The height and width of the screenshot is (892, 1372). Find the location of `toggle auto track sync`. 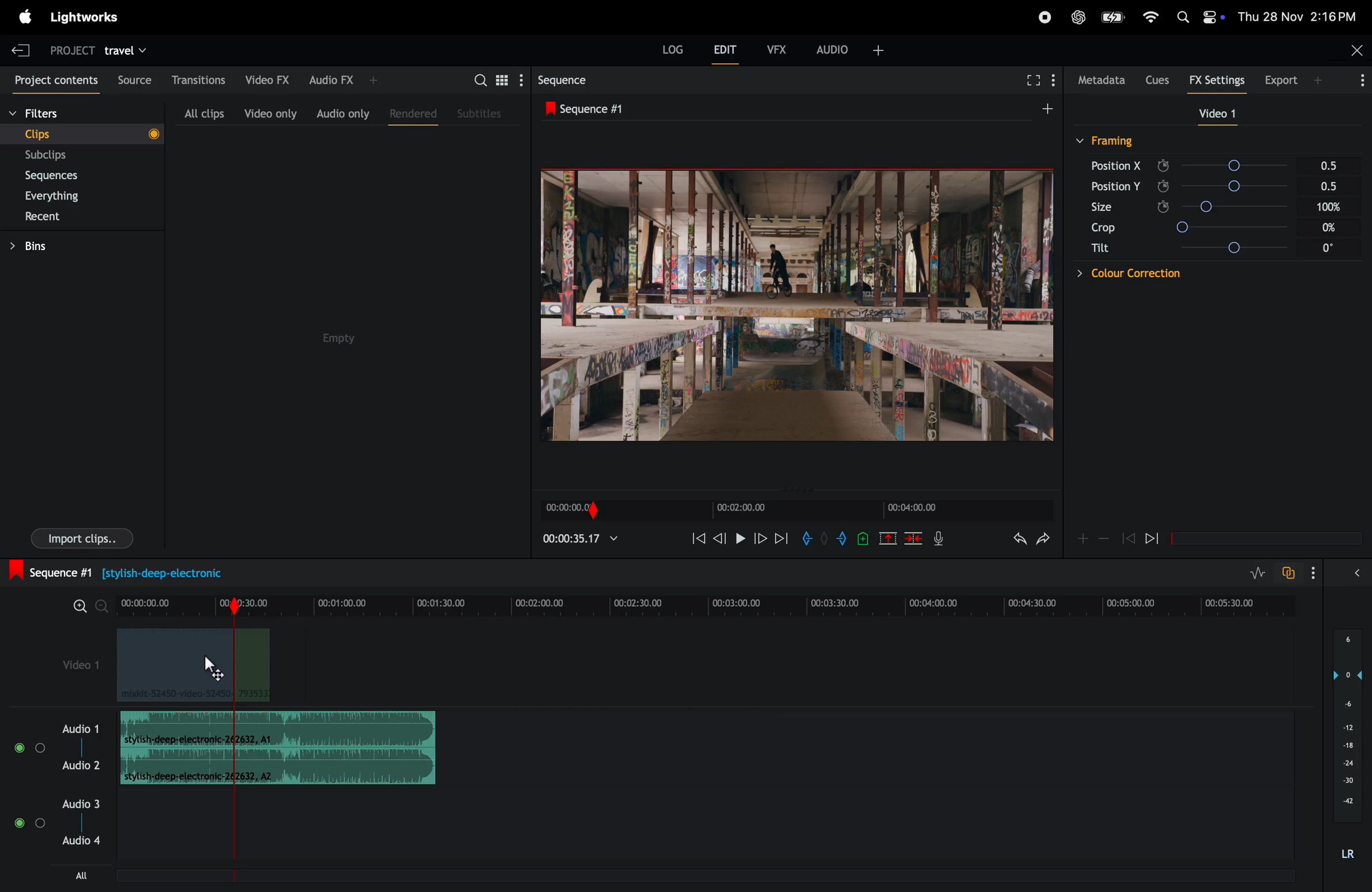

toggle auto track sync is located at coordinates (1291, 572).